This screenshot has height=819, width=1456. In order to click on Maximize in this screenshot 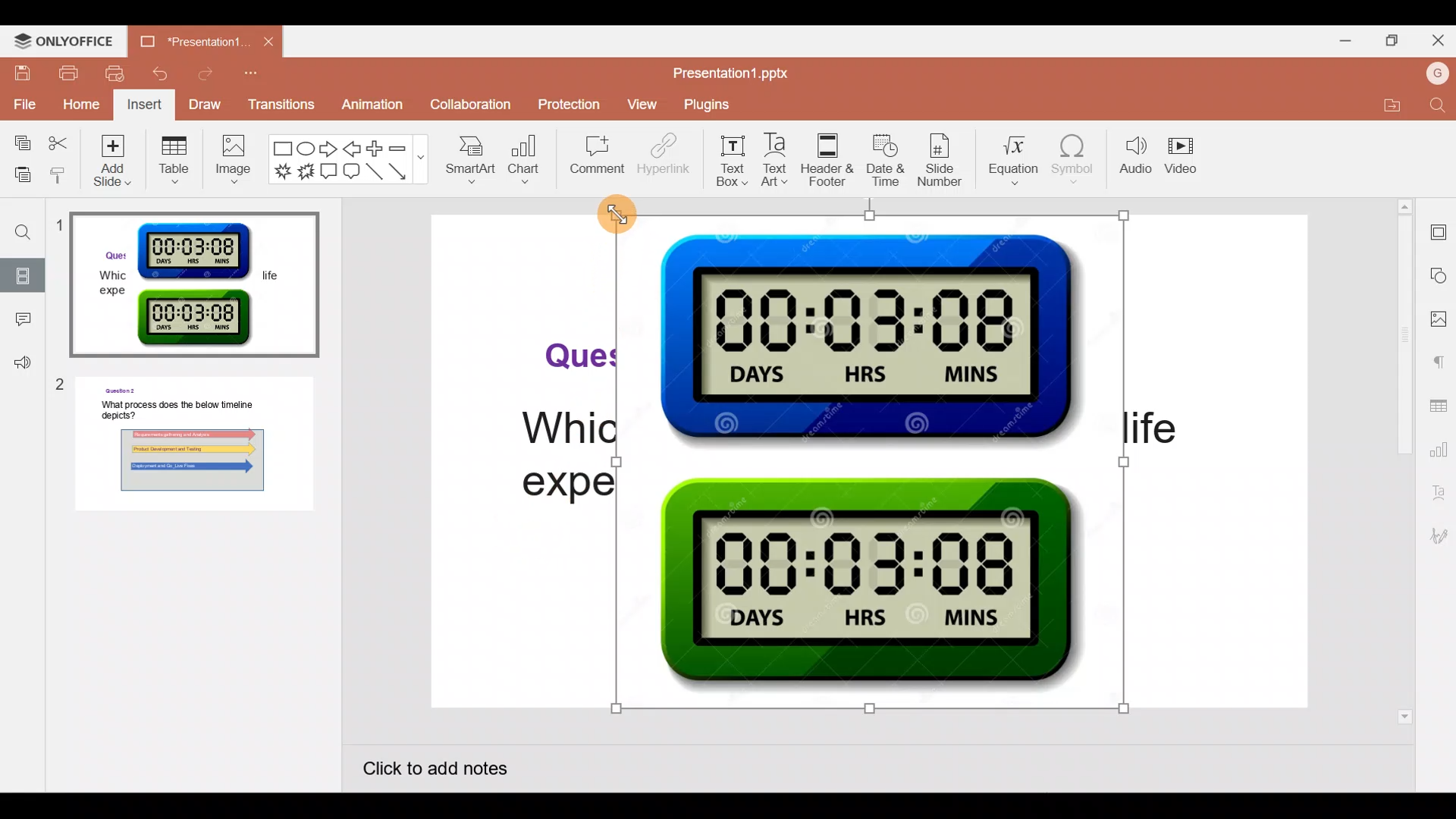, I will do `click(1392, 39)`.